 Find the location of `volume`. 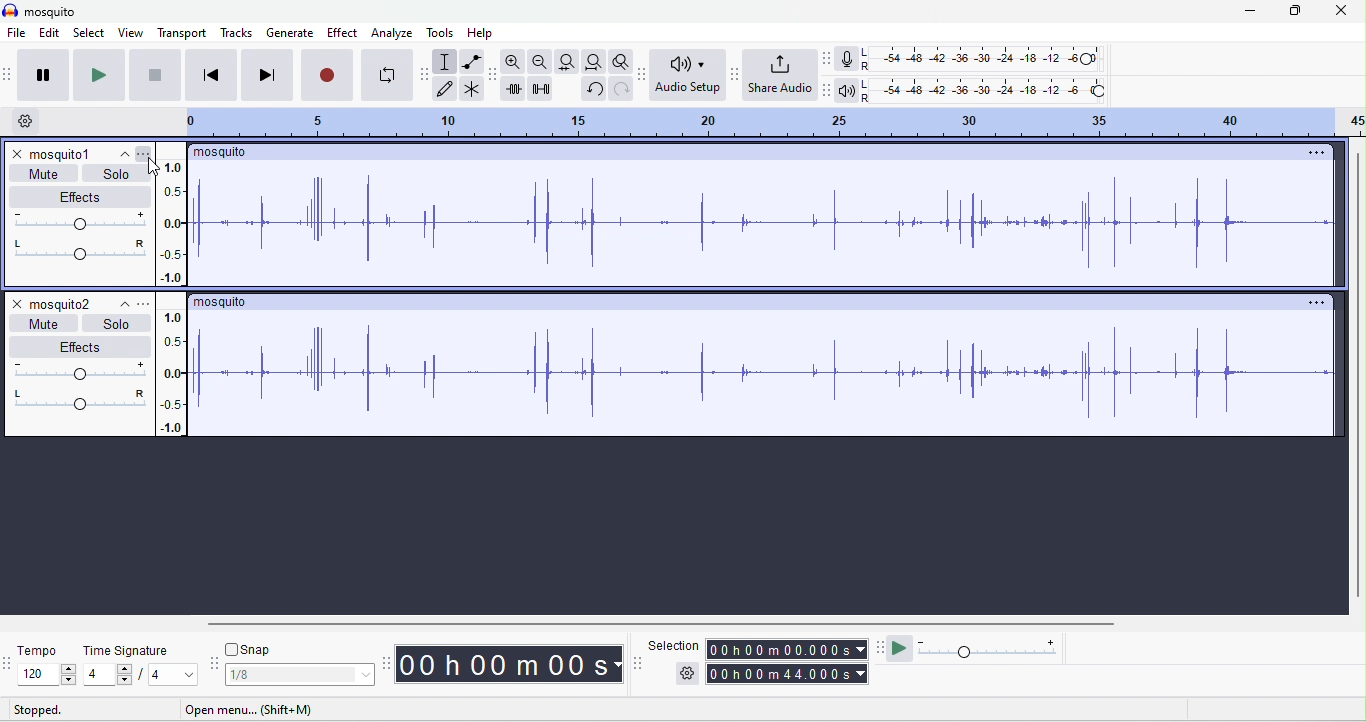

volume is located at coordinates (77, 373).